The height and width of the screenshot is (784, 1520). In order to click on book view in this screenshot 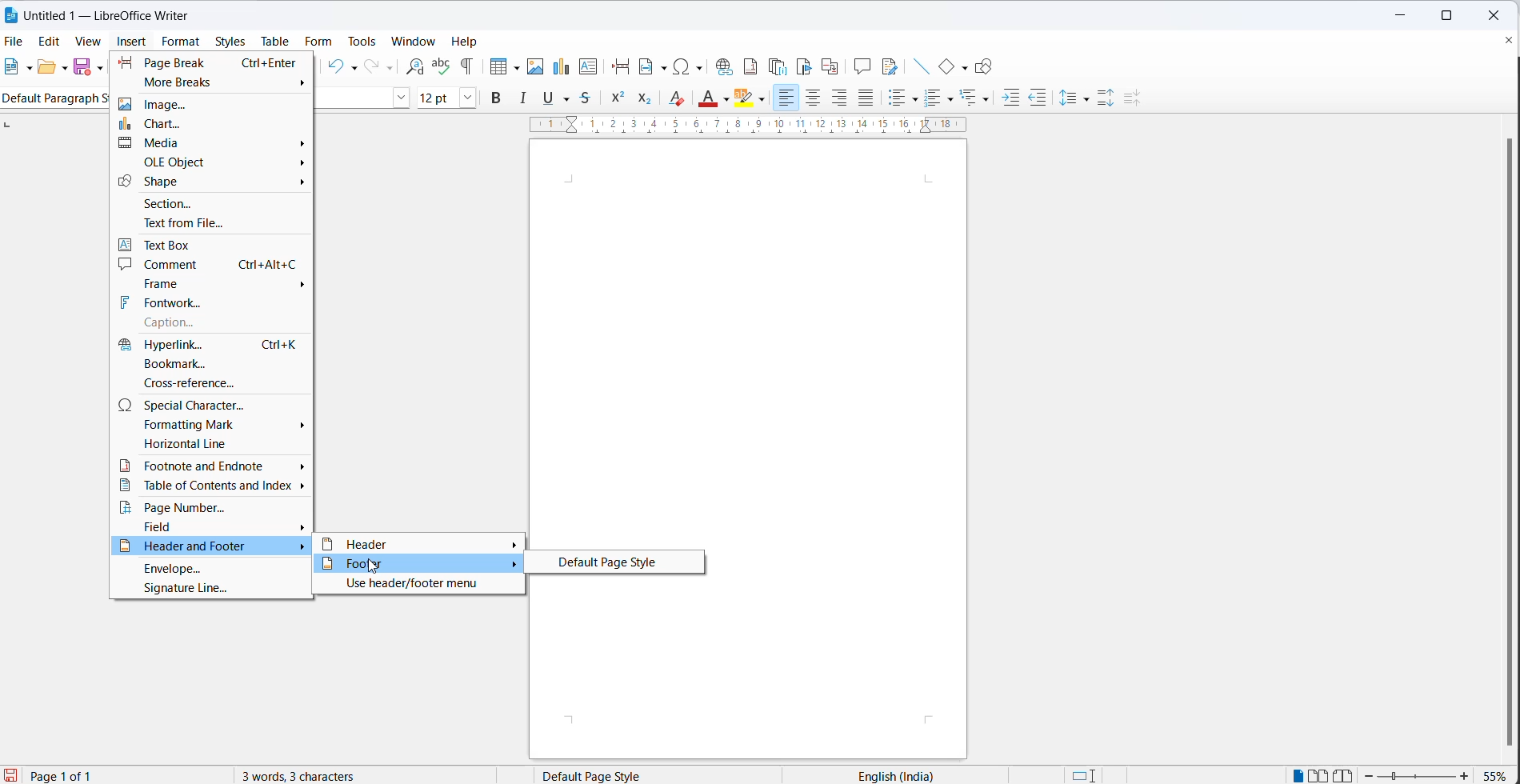, I will do `click(1346, 774)`.